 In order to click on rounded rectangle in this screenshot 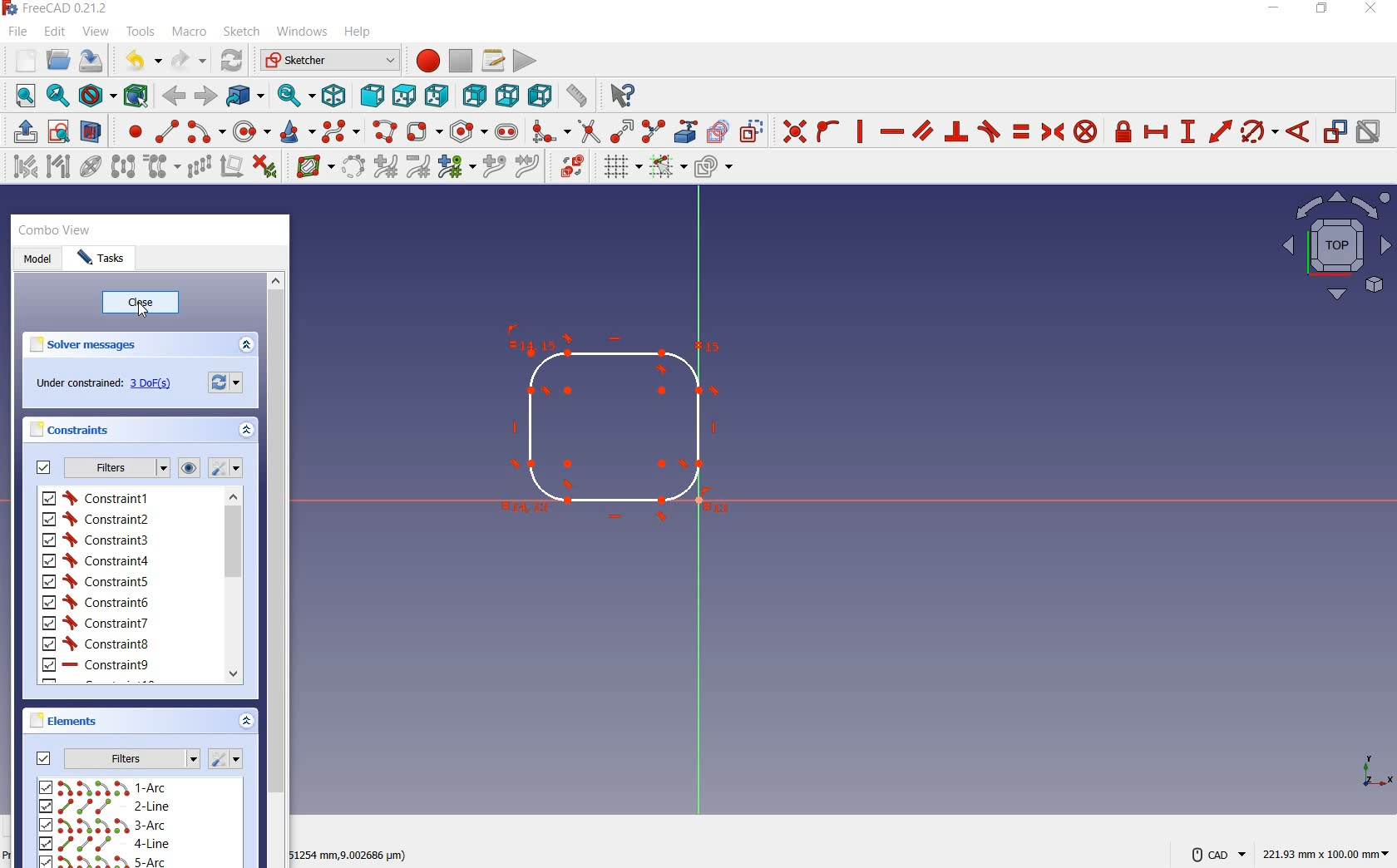, I will do `click(424, 131)`.